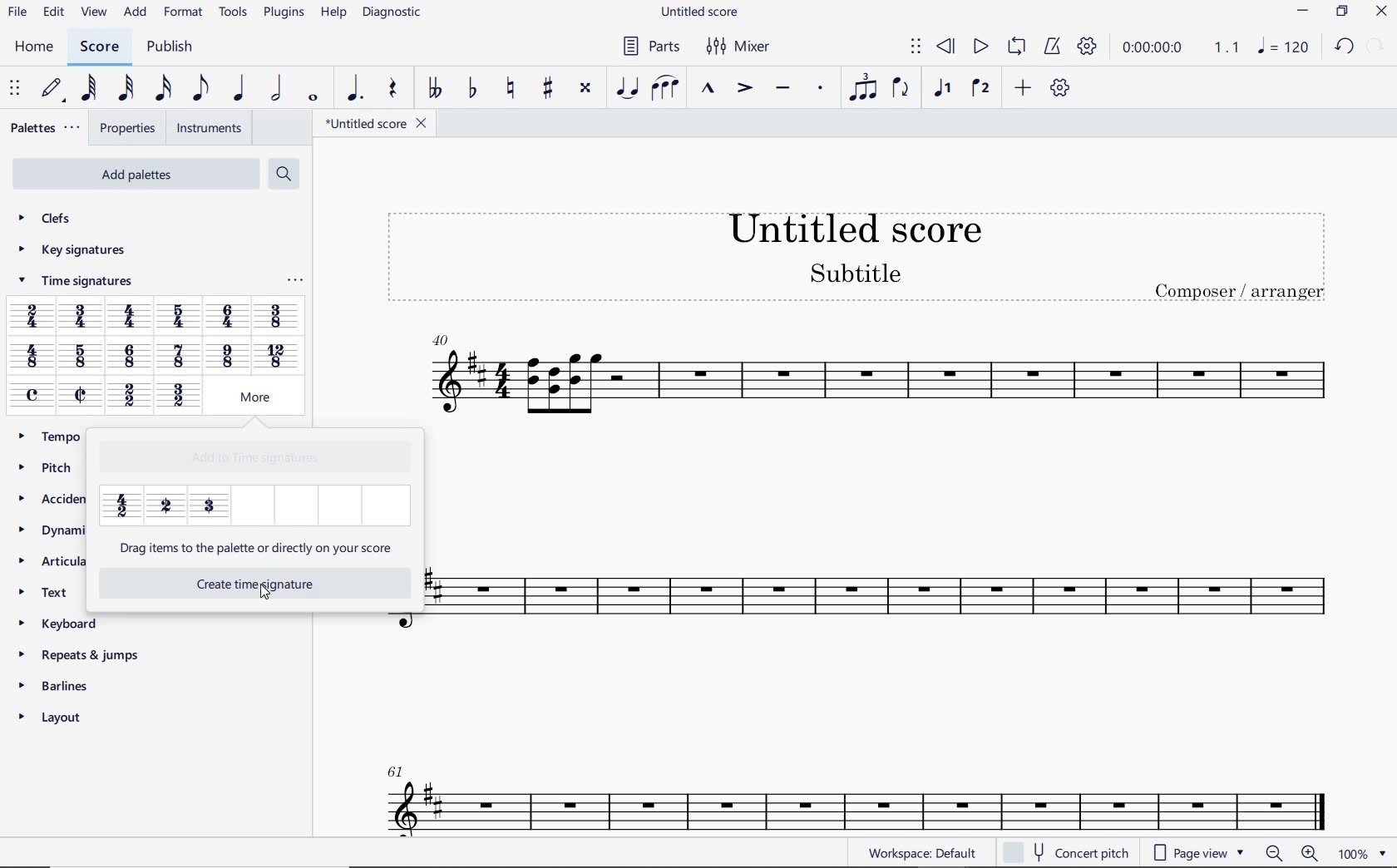 This screenshot has width=1397, height=868. What do you see at coordinates (394, 89) in the screenshot?
I see `REST` at bounding box center [394, 89].